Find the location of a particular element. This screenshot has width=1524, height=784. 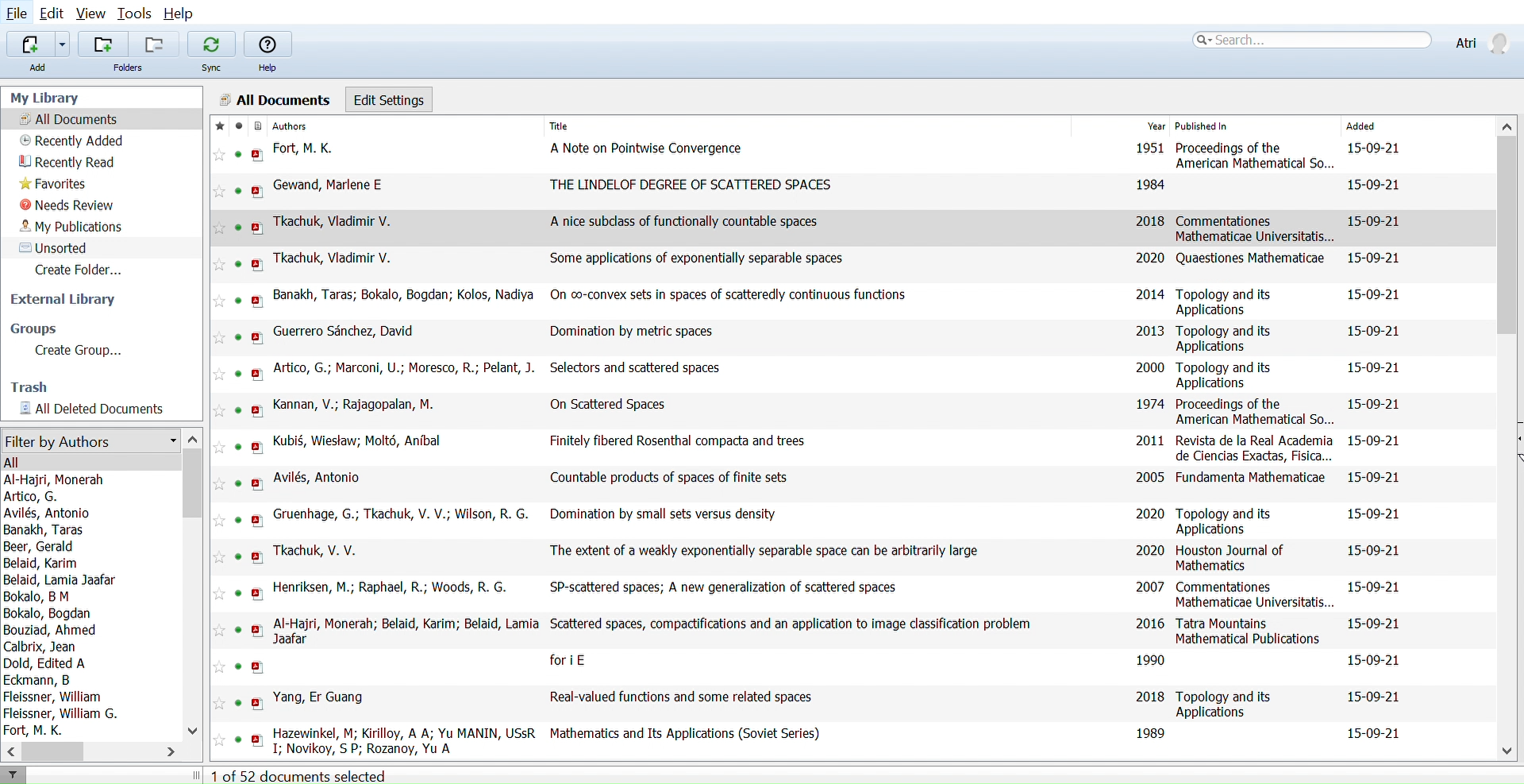

Vertical scrollbar for all files is located at coordinates (1509, 233).